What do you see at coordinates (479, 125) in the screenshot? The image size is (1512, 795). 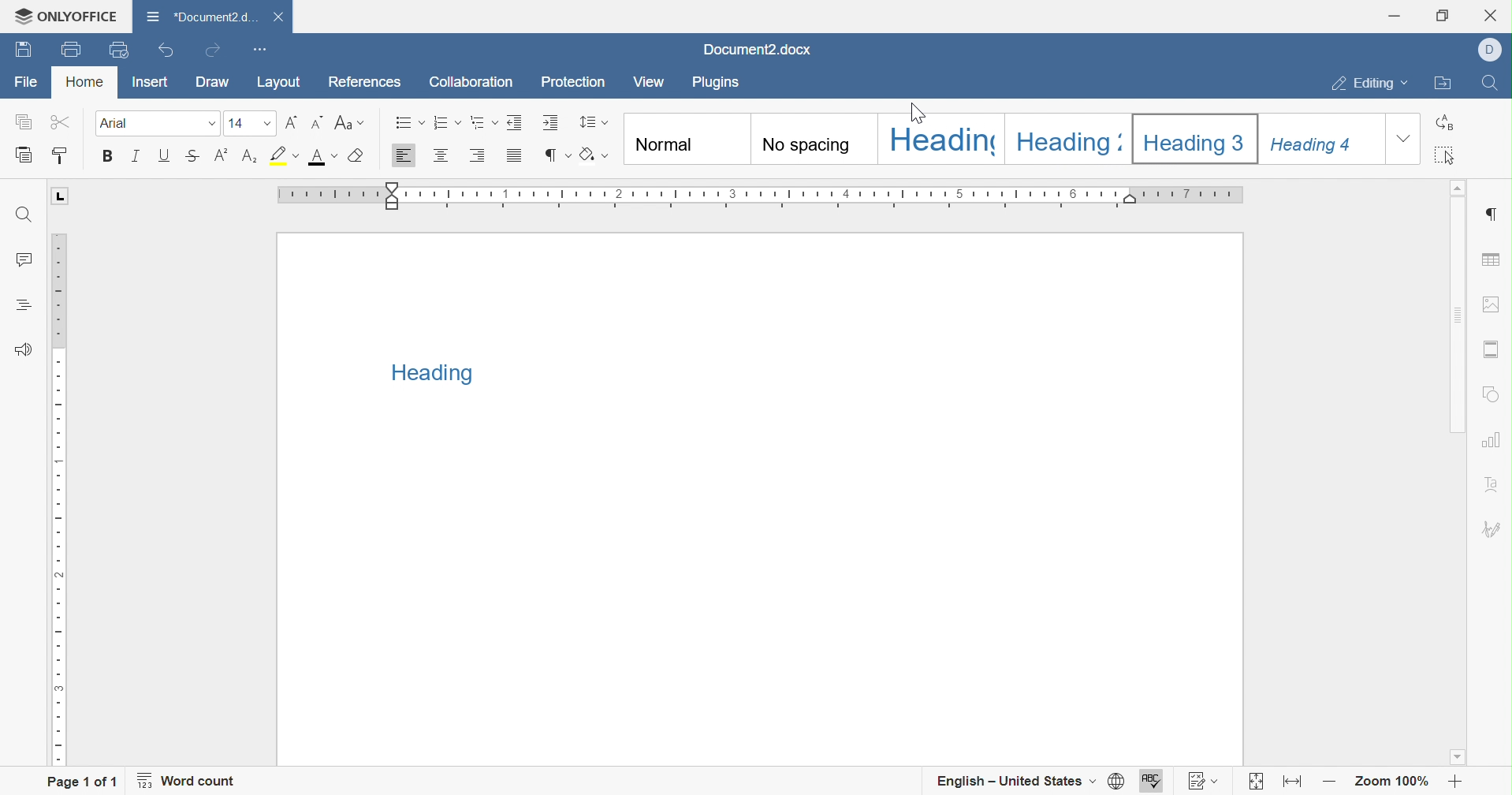 I see `Multilevel list` at bounding box center [479, 125].